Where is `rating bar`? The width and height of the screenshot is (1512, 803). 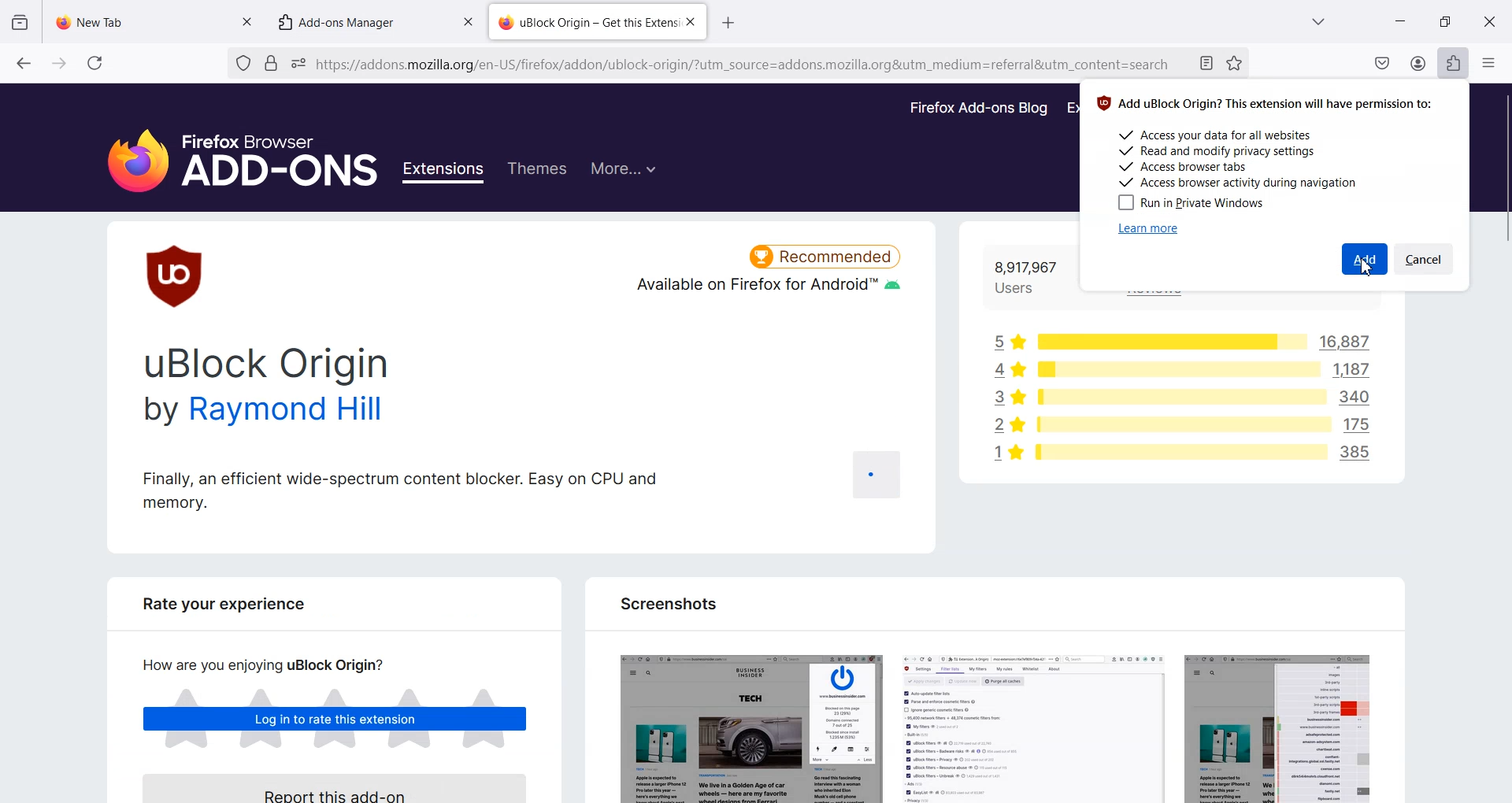 rating bar is located at coordinates (1180, 451).